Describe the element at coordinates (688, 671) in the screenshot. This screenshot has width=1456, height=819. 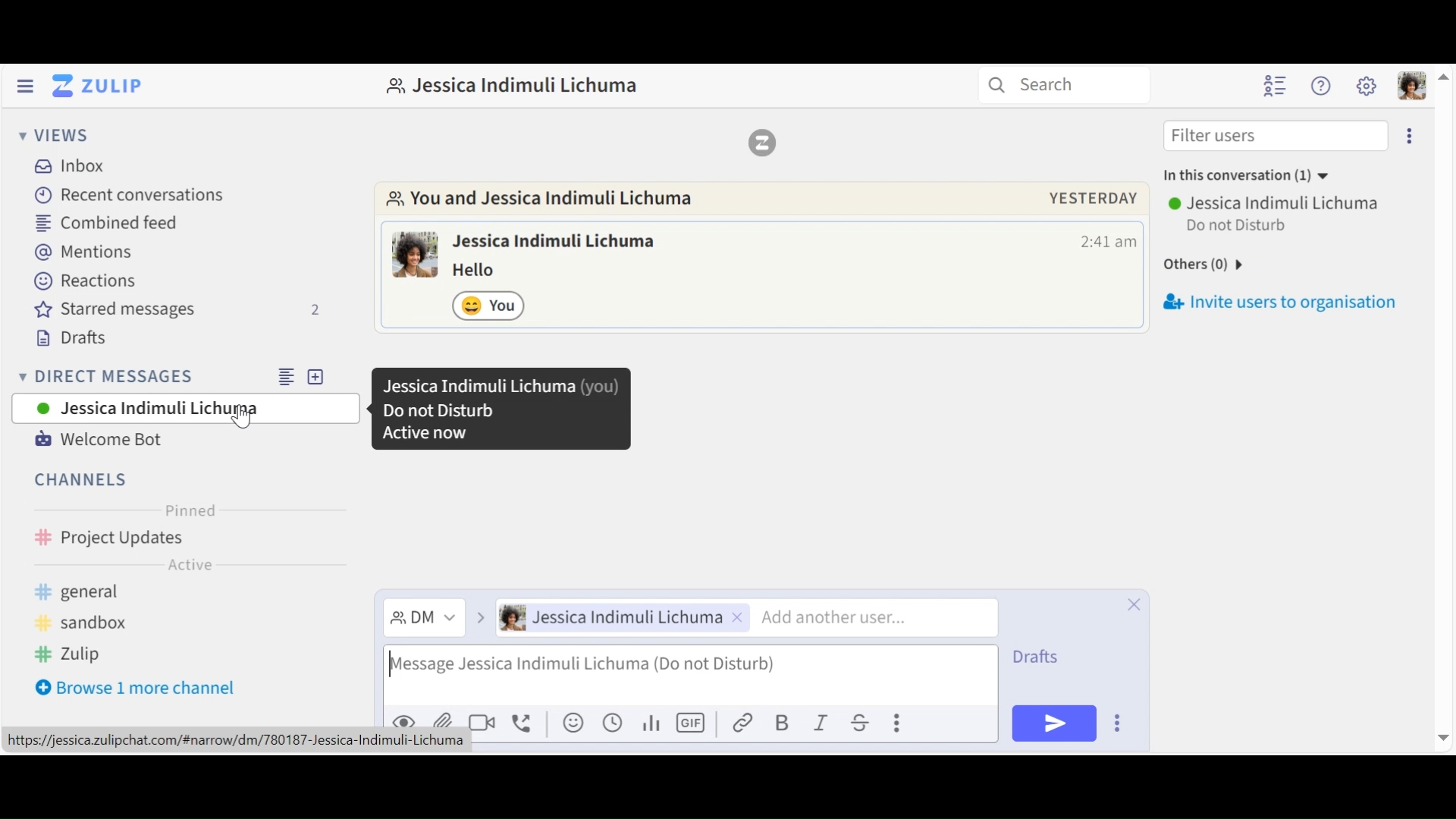
I see `Compose message` at that location.